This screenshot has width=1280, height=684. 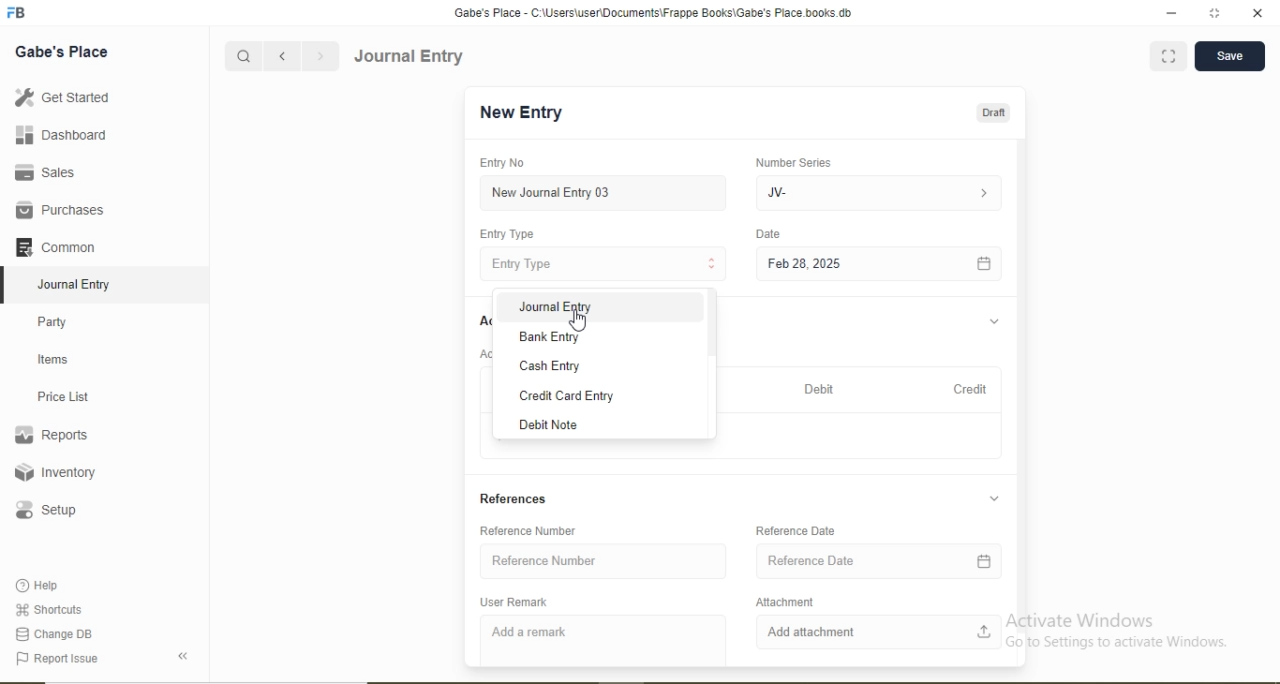 I want to click on Common, so click(x=54, y=246).